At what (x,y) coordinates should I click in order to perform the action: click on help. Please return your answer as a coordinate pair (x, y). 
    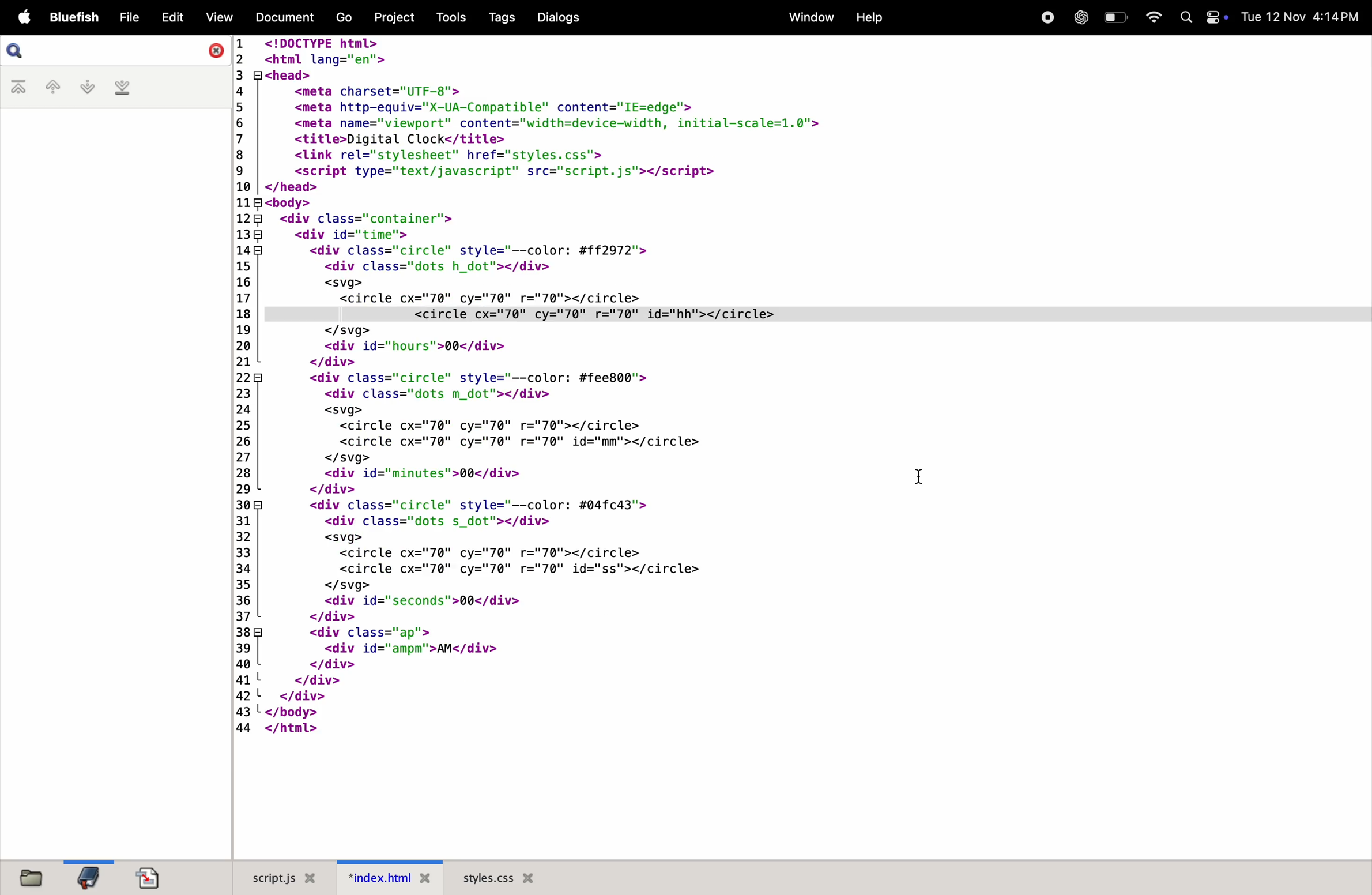
    Looking at the image, I should click on (868, 19).